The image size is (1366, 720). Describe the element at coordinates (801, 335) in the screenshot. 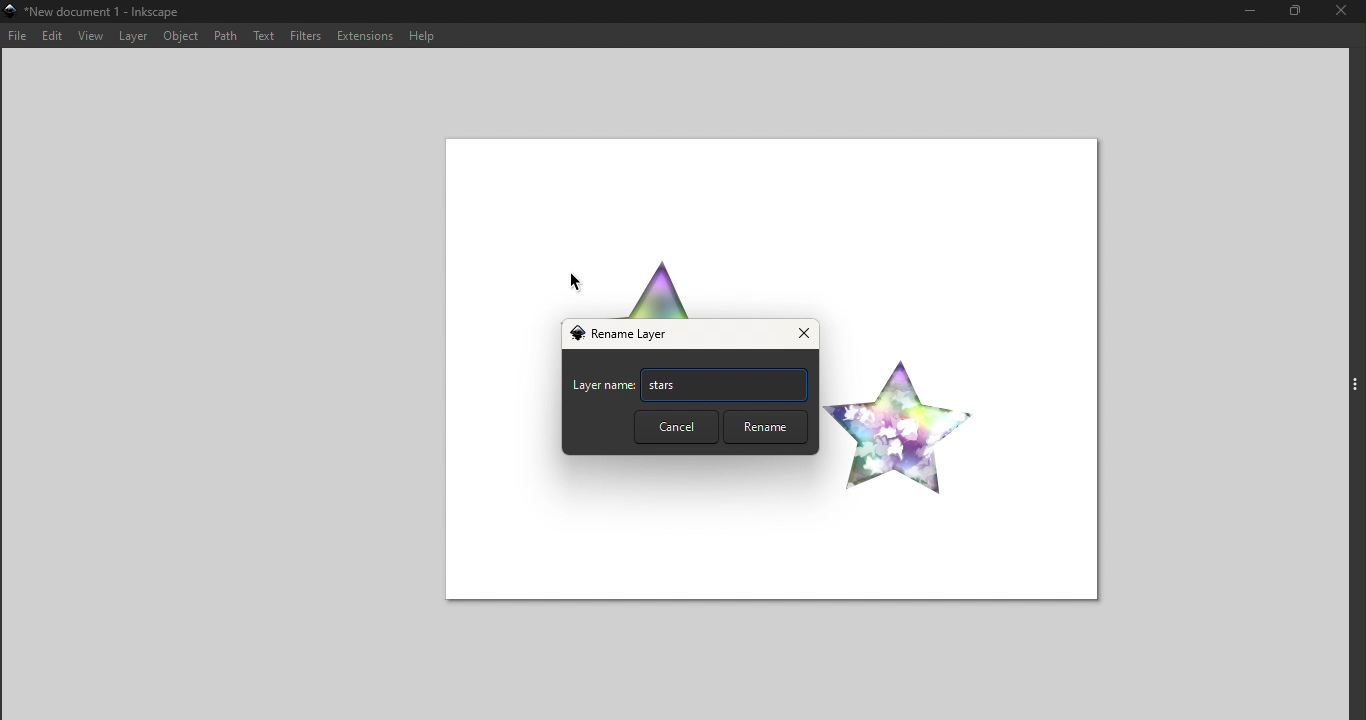

I see `Close` at that location.